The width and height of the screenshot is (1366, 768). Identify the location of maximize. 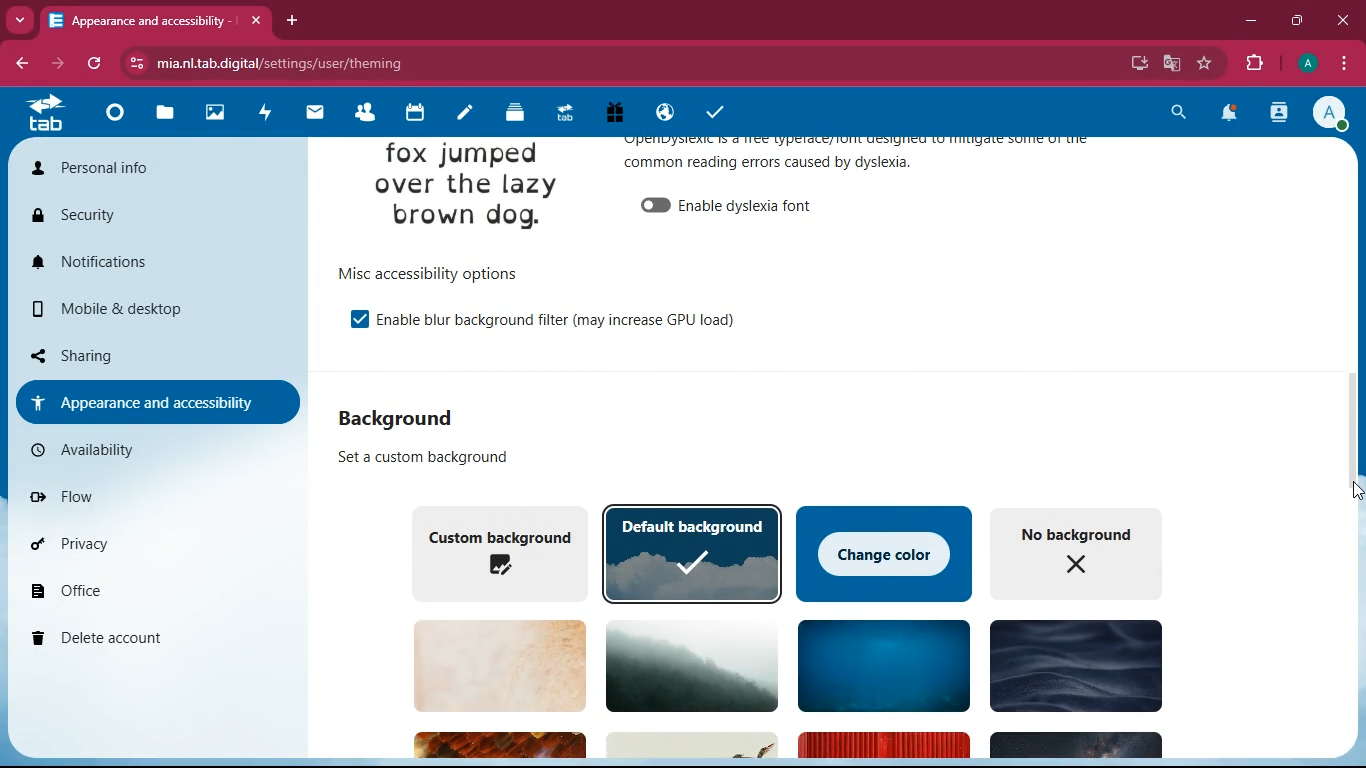
(1295, 21).